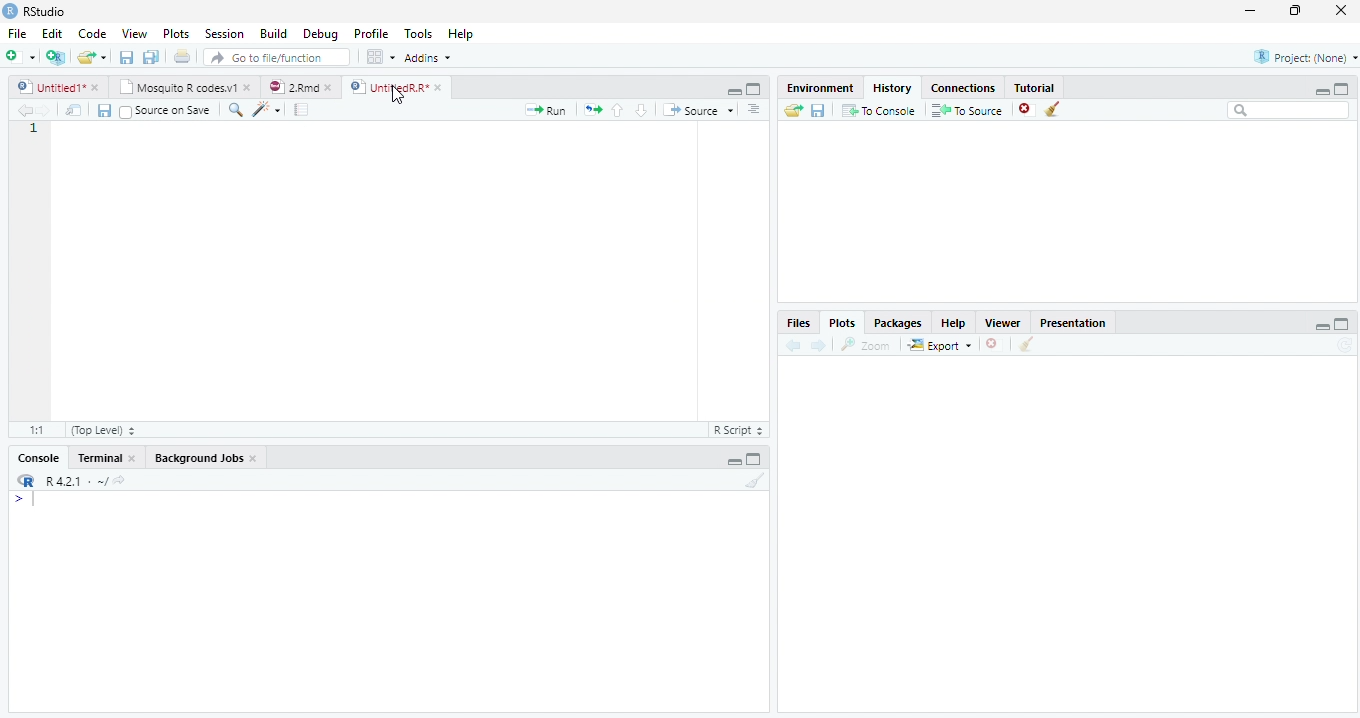 The image size is (1360, 718). I want to click on Zoom, so click(867, 347).